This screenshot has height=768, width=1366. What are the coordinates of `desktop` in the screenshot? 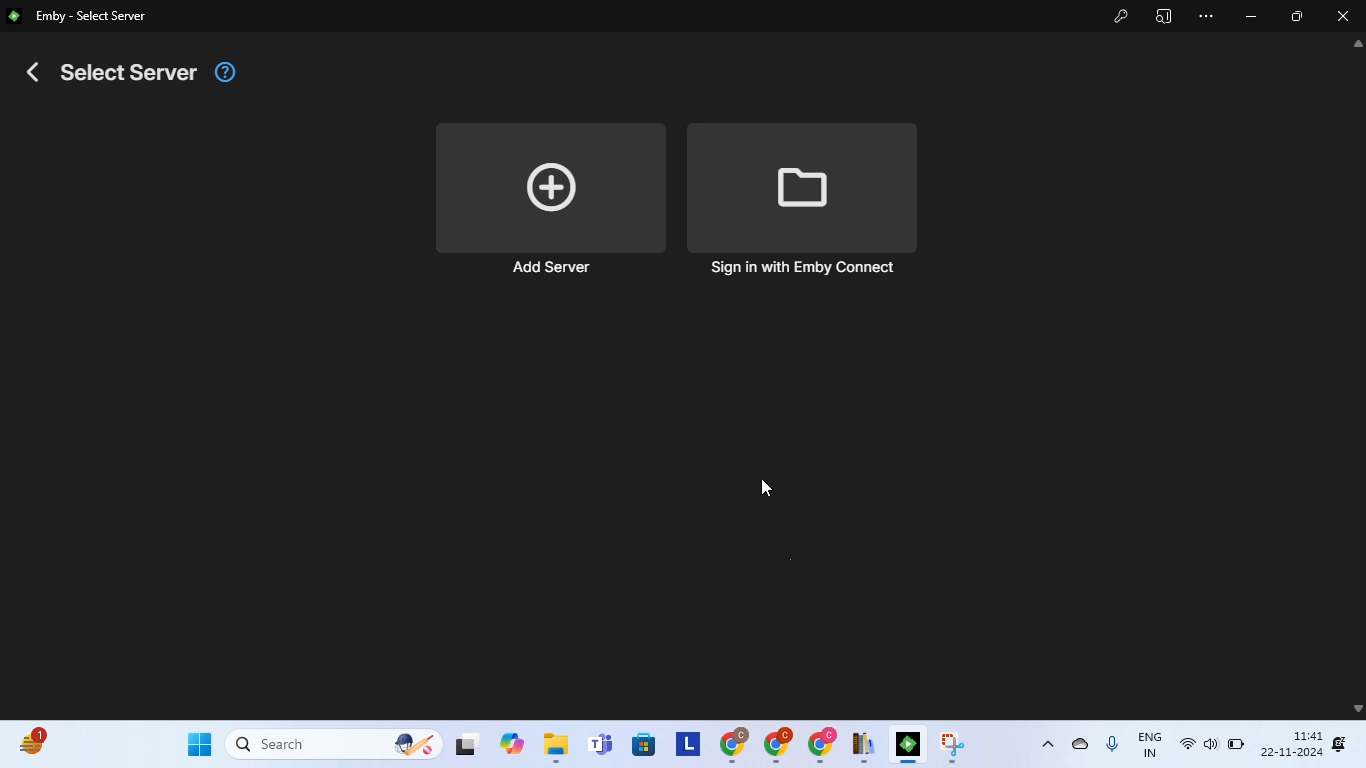 It's located at (466, 747).